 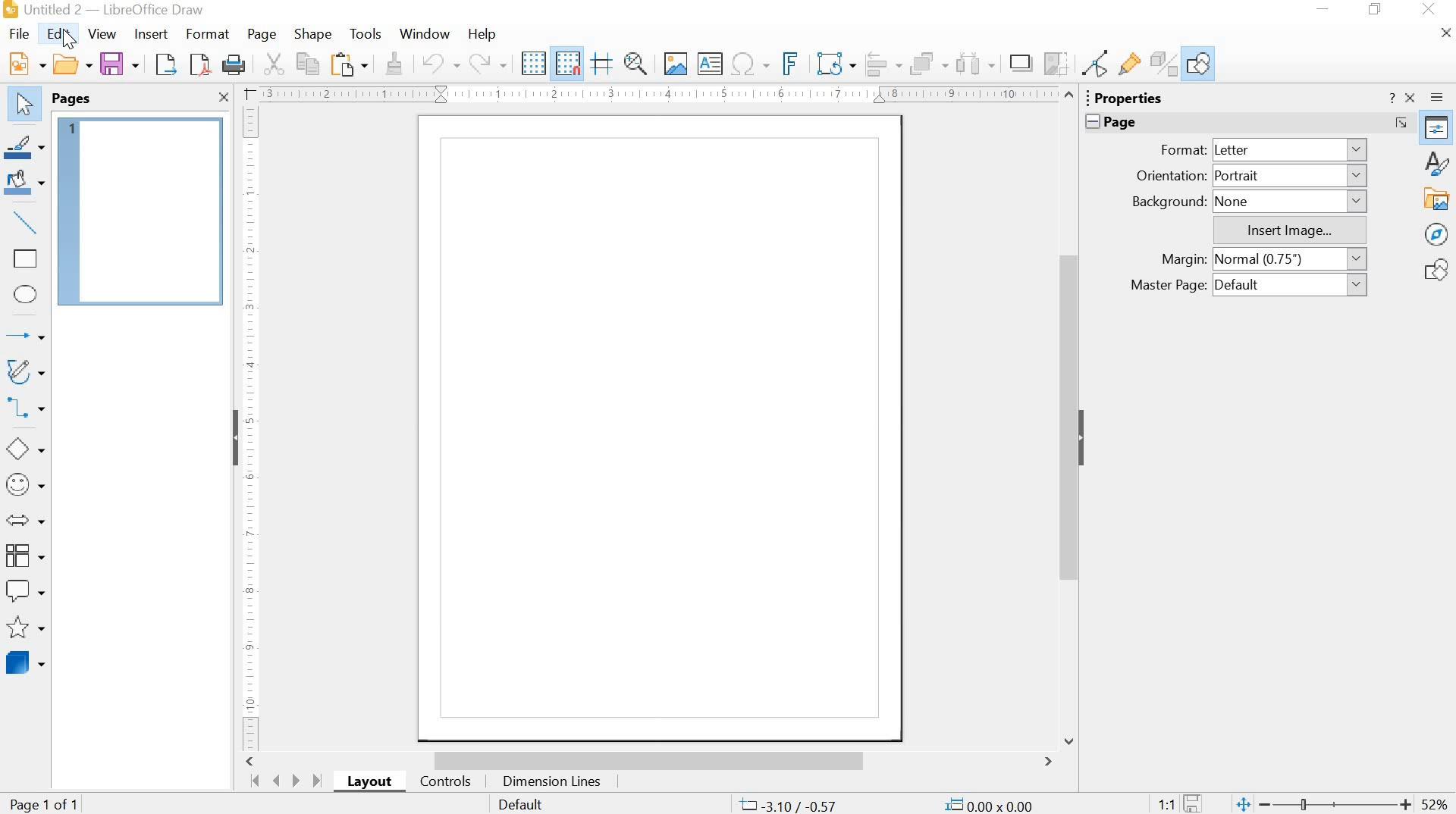 What do you see at coordinates (1436, 803) in the screenshot?
I see `zoom factor` at bounding box center [1436, 803].